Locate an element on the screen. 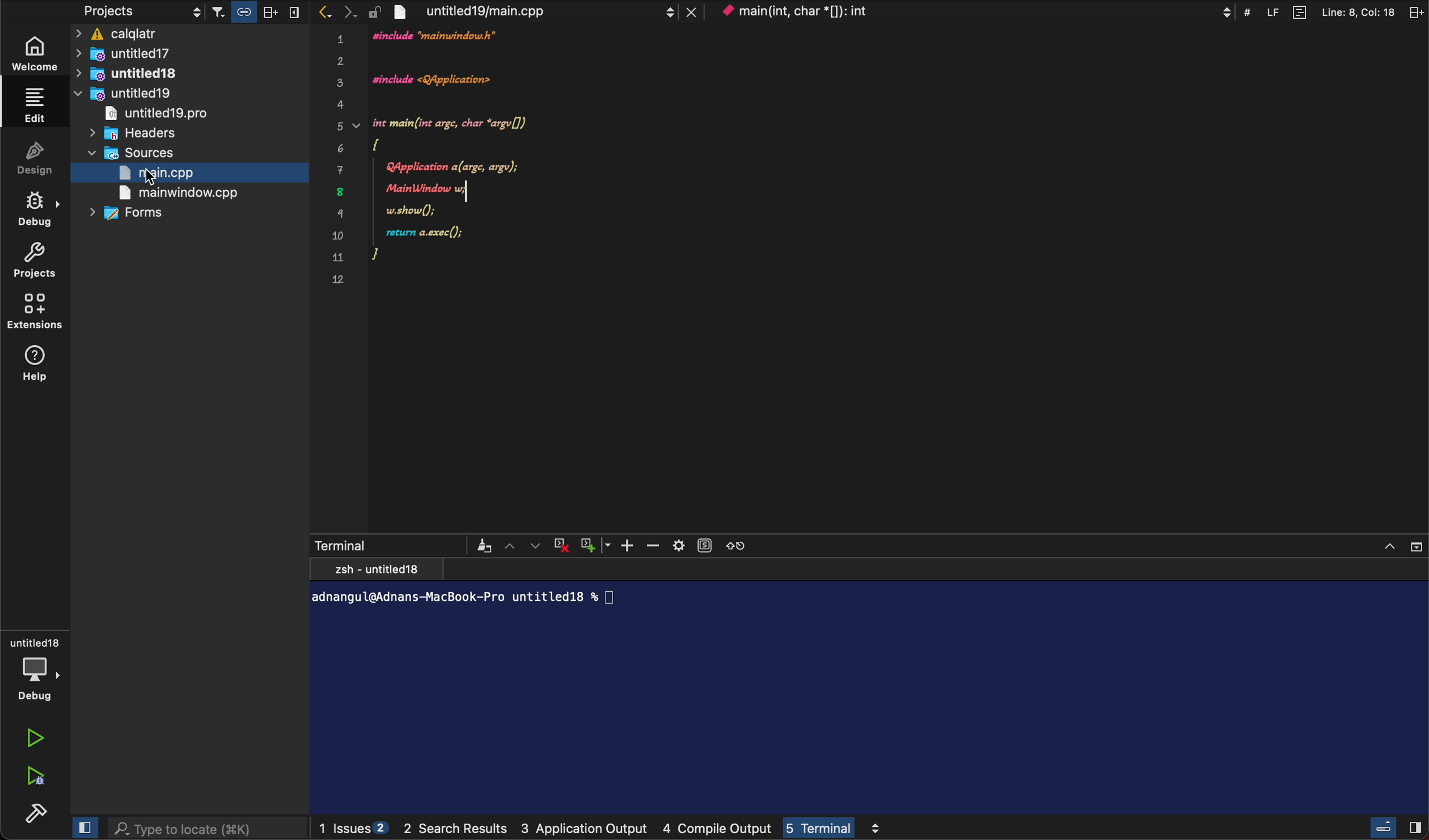 The height and width of the screenshot is (840, 1429). Plus is located at coordinates (630, 545).